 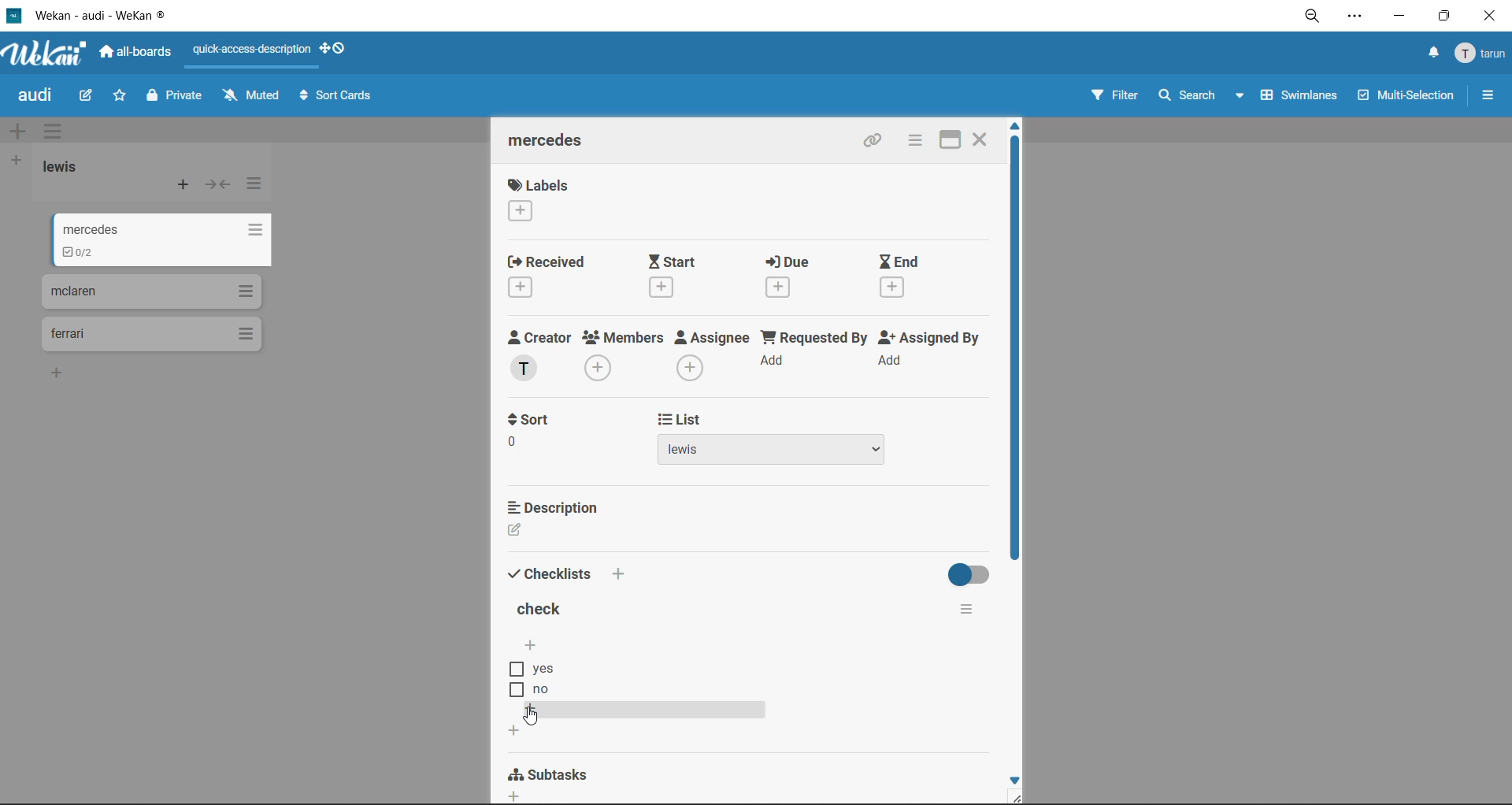 I want to click on Checkbox, so click(x=513, y=690).